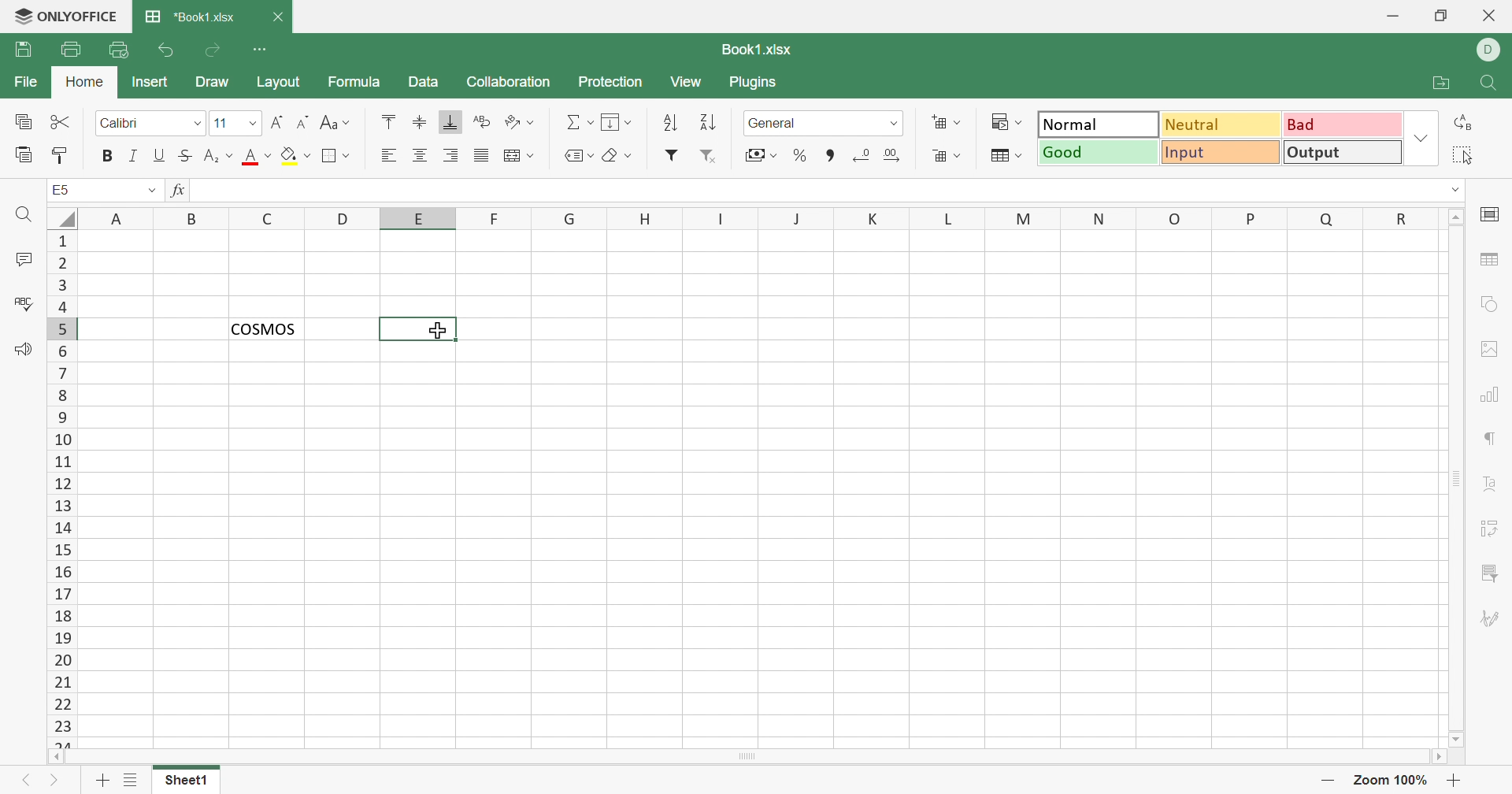 The image size is (1512, 794). I want to click on Good, so click(1097, 153).